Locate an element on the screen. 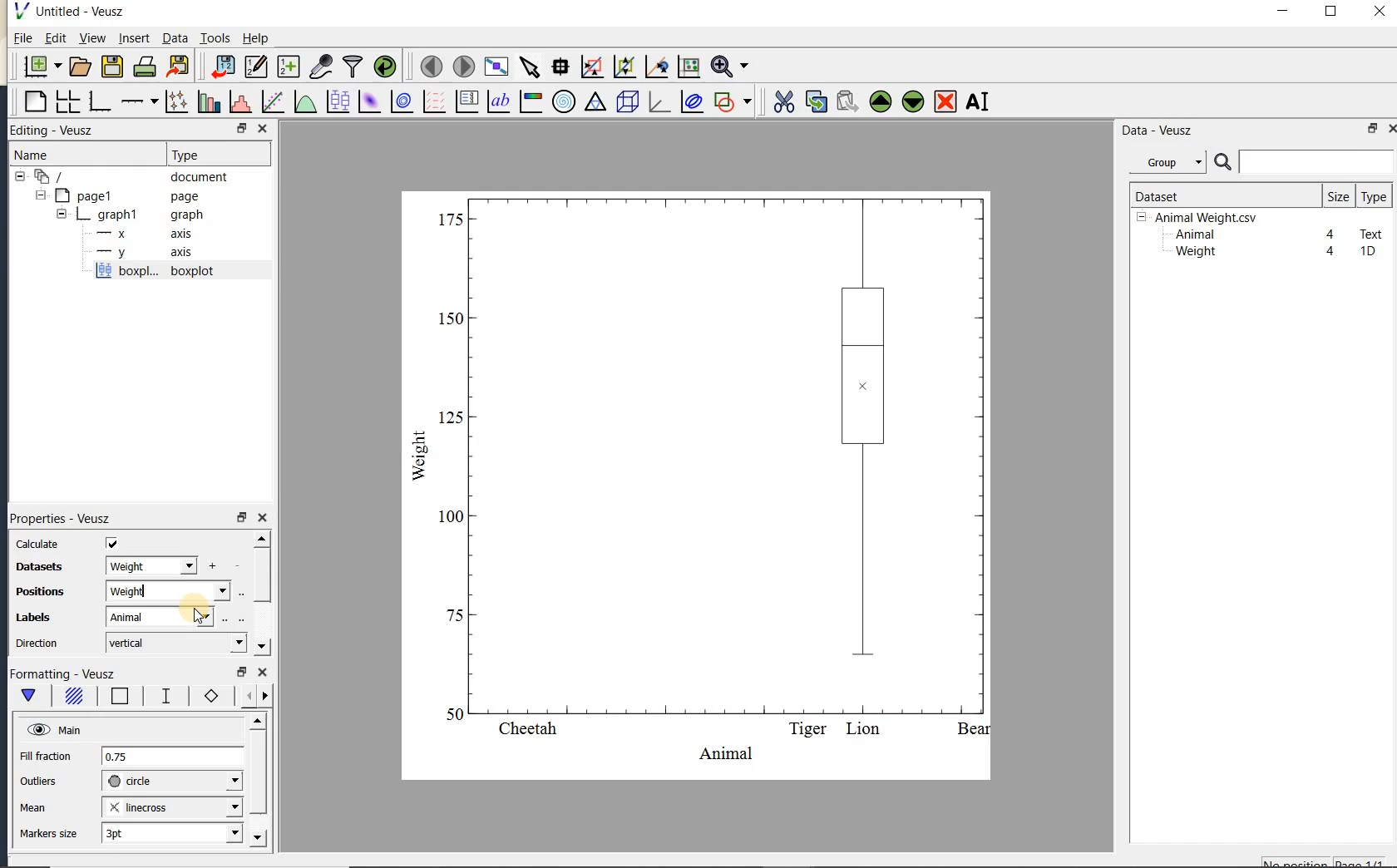  click or draw a rectangle to zoom graph axes is located at coordinates (591, 67).